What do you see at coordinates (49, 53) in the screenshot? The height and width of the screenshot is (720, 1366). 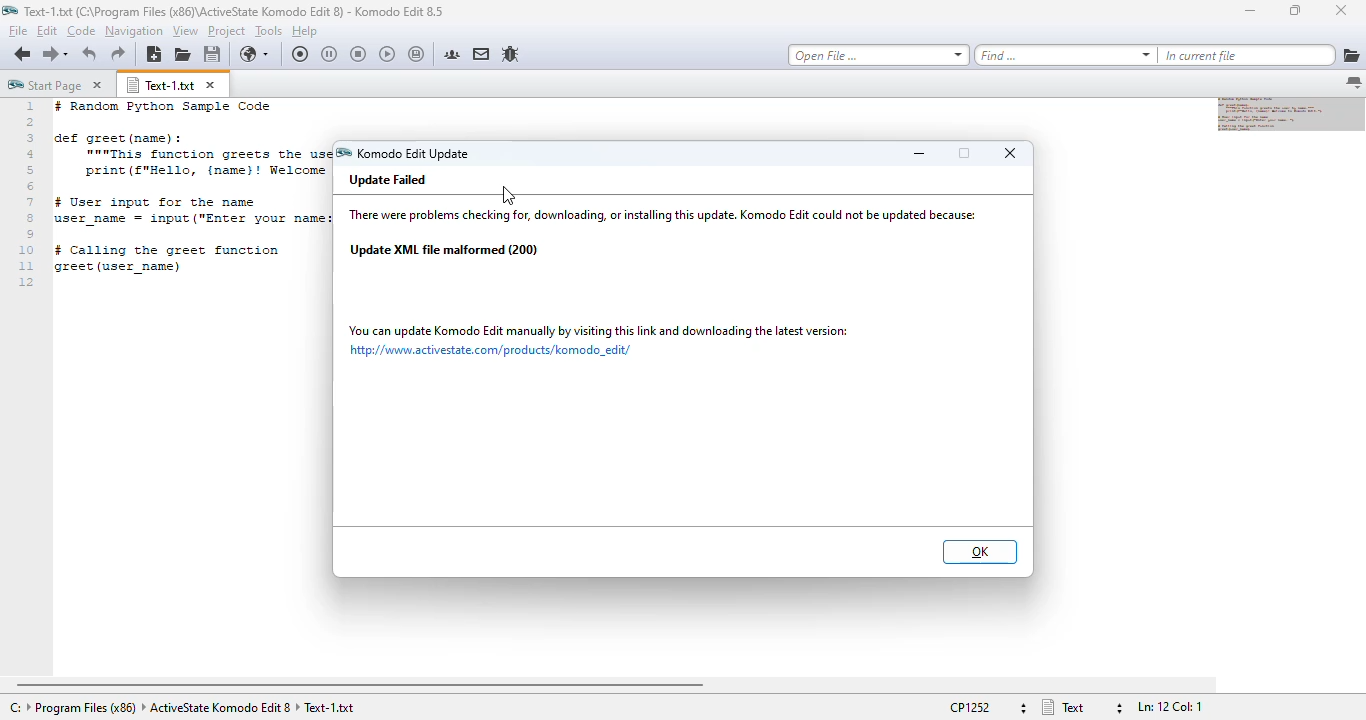 I see `go forward one location` at bounding box center [49, 53].